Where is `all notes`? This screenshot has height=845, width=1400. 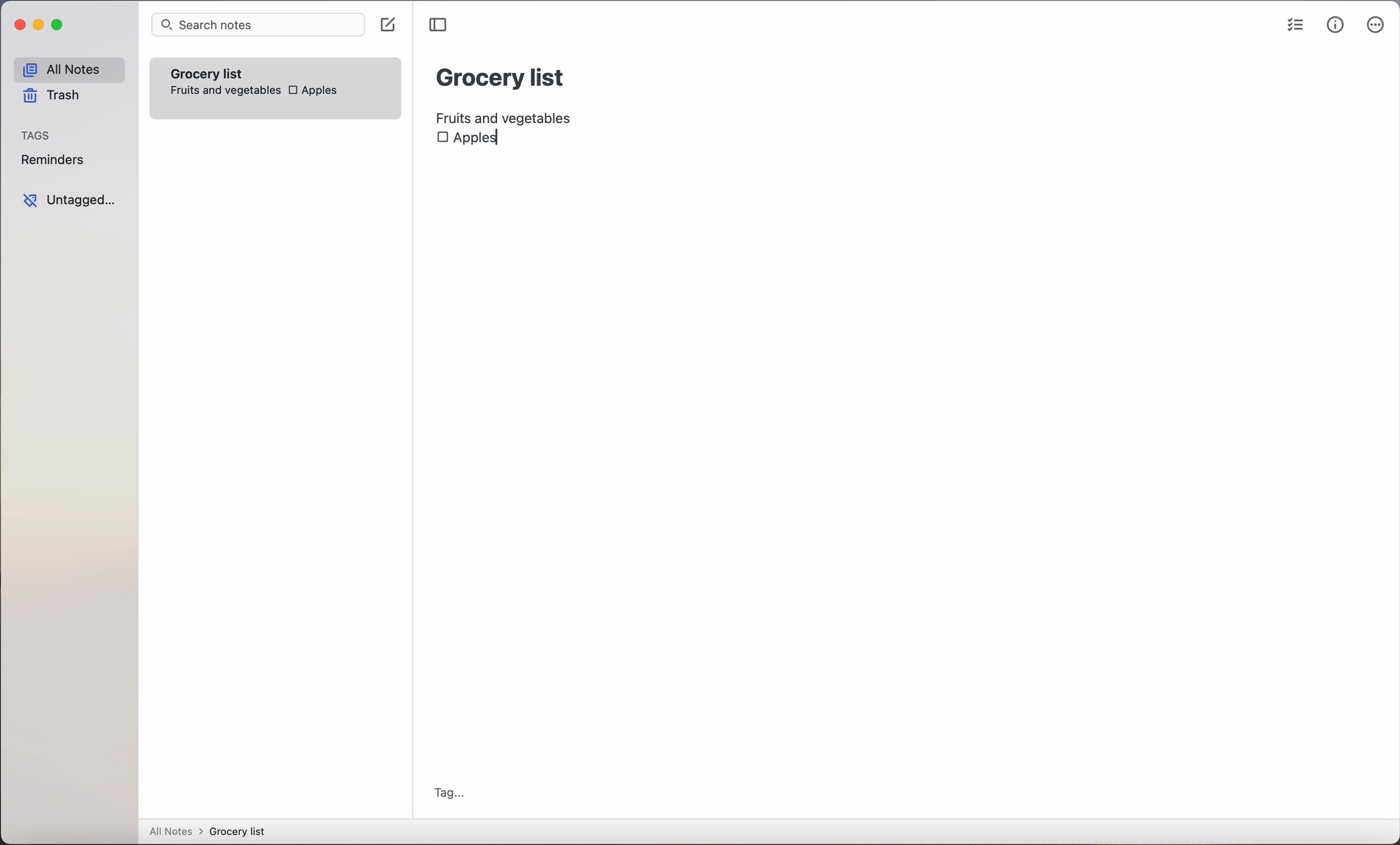 all notes is located at coordinates (68, 70).